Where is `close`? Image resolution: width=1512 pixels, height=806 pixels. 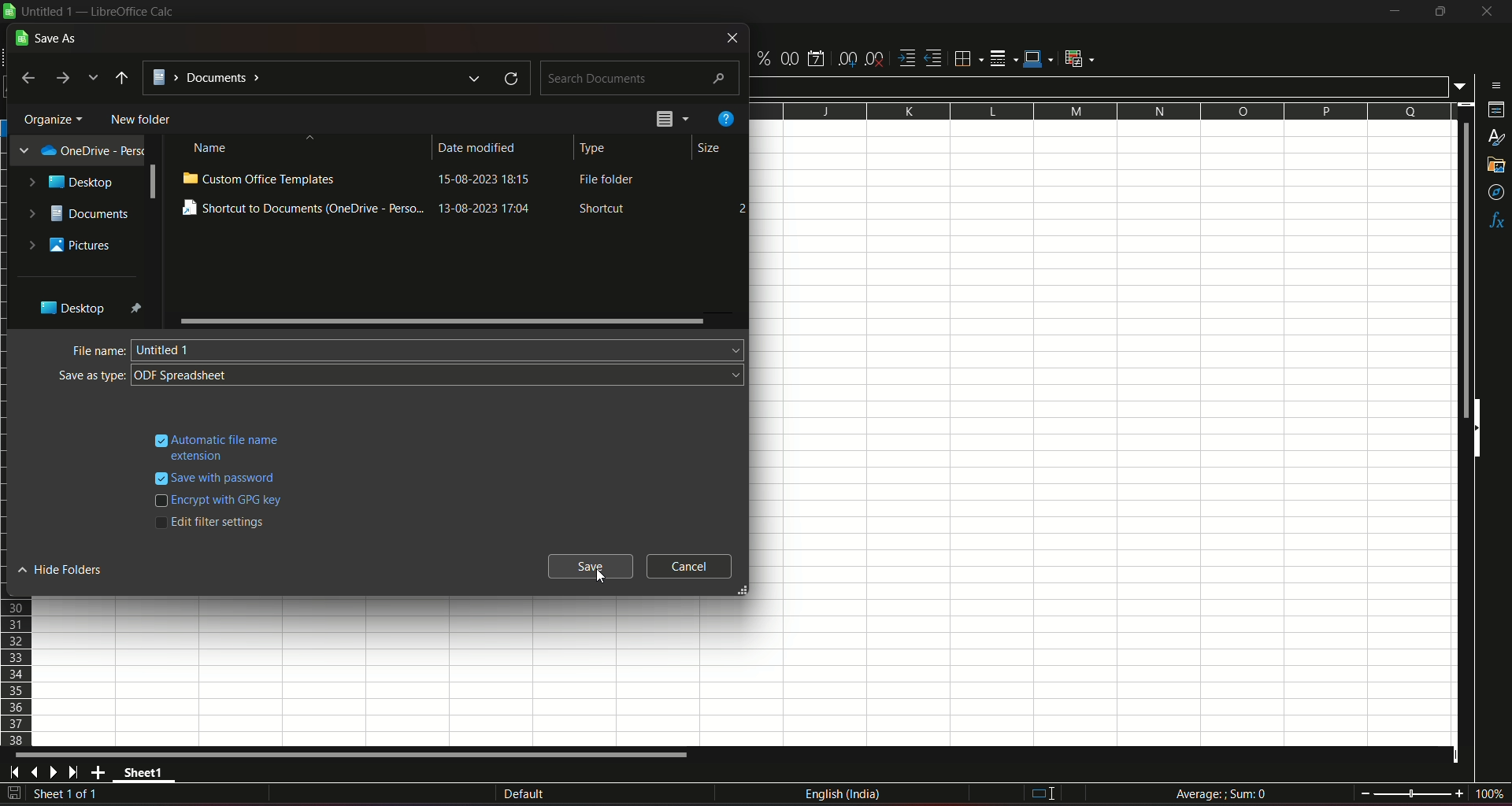 close is located at coordinates (731, 39).